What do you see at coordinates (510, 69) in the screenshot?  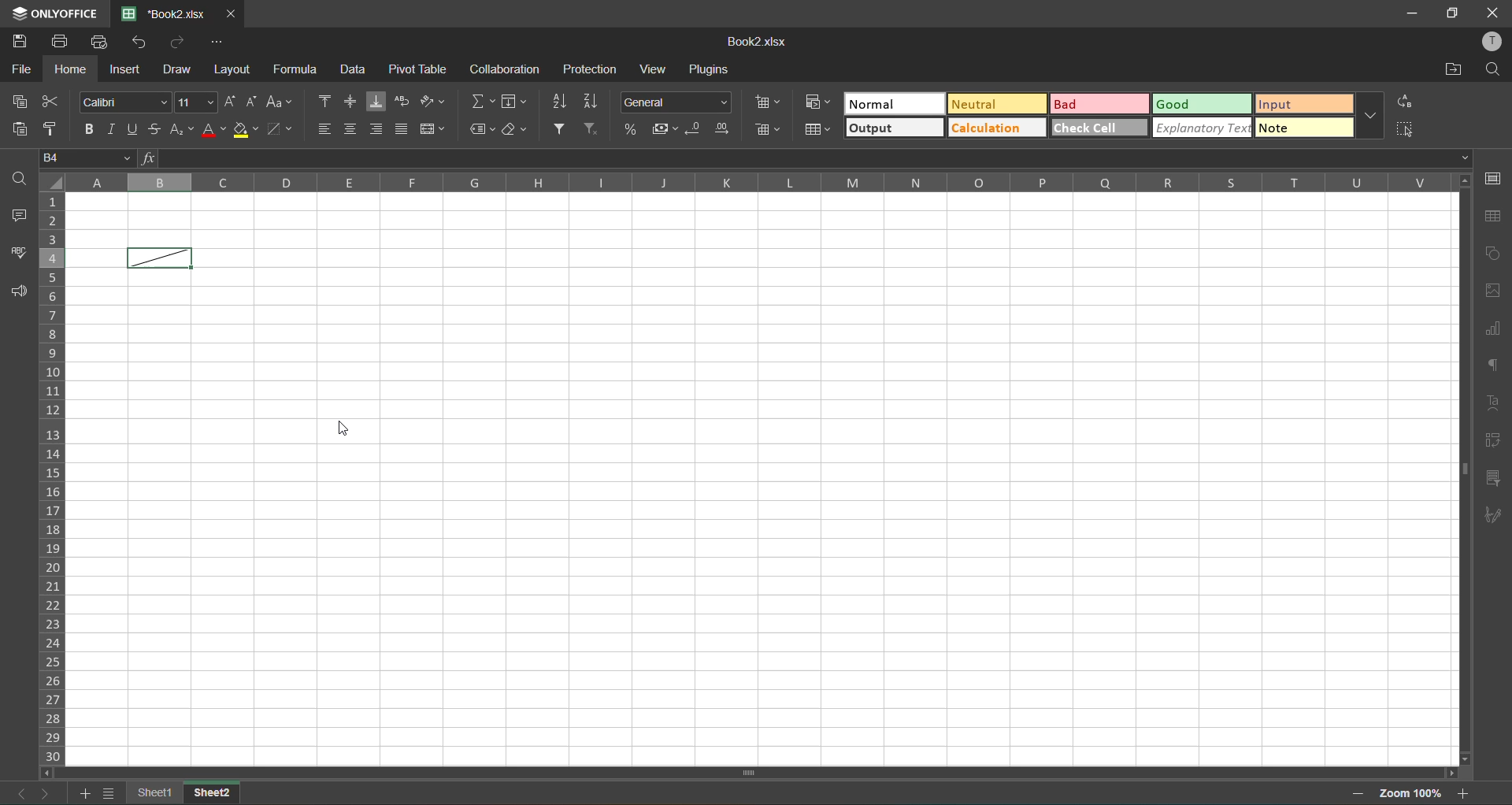 I see `collaboration` at bounding box center [510, 69].